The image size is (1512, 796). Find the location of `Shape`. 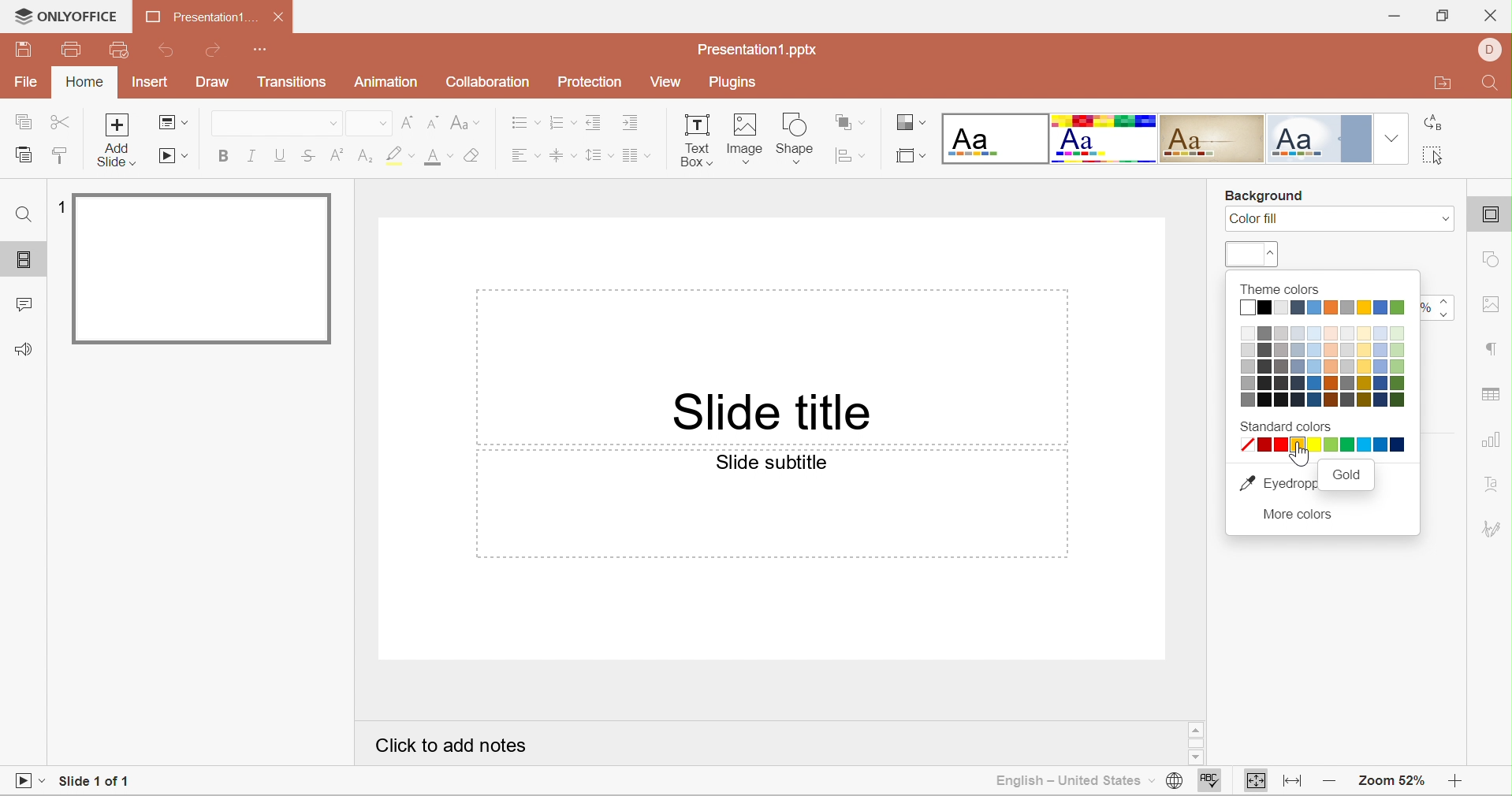

Shape is located at coordinates (795, 136).